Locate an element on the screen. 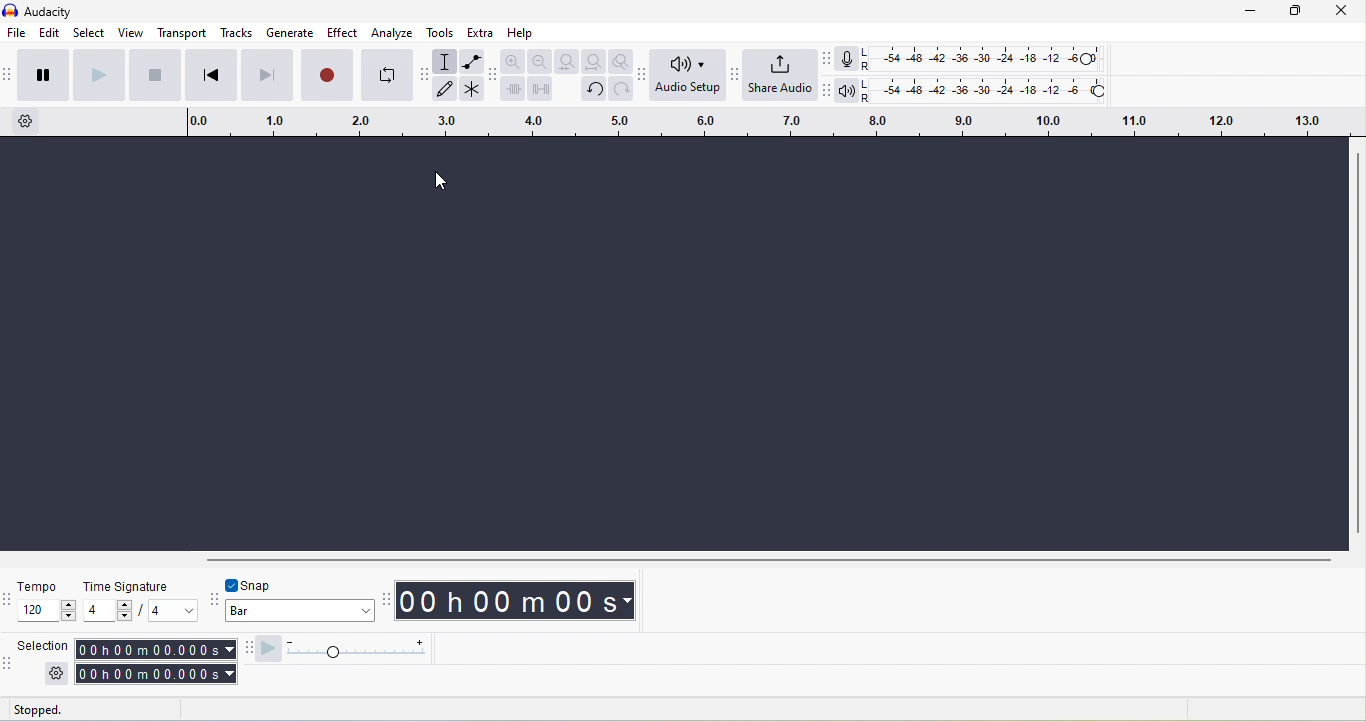 This screenshot has height=722, width=1366. playback meter is located at coordinates (847, 91).